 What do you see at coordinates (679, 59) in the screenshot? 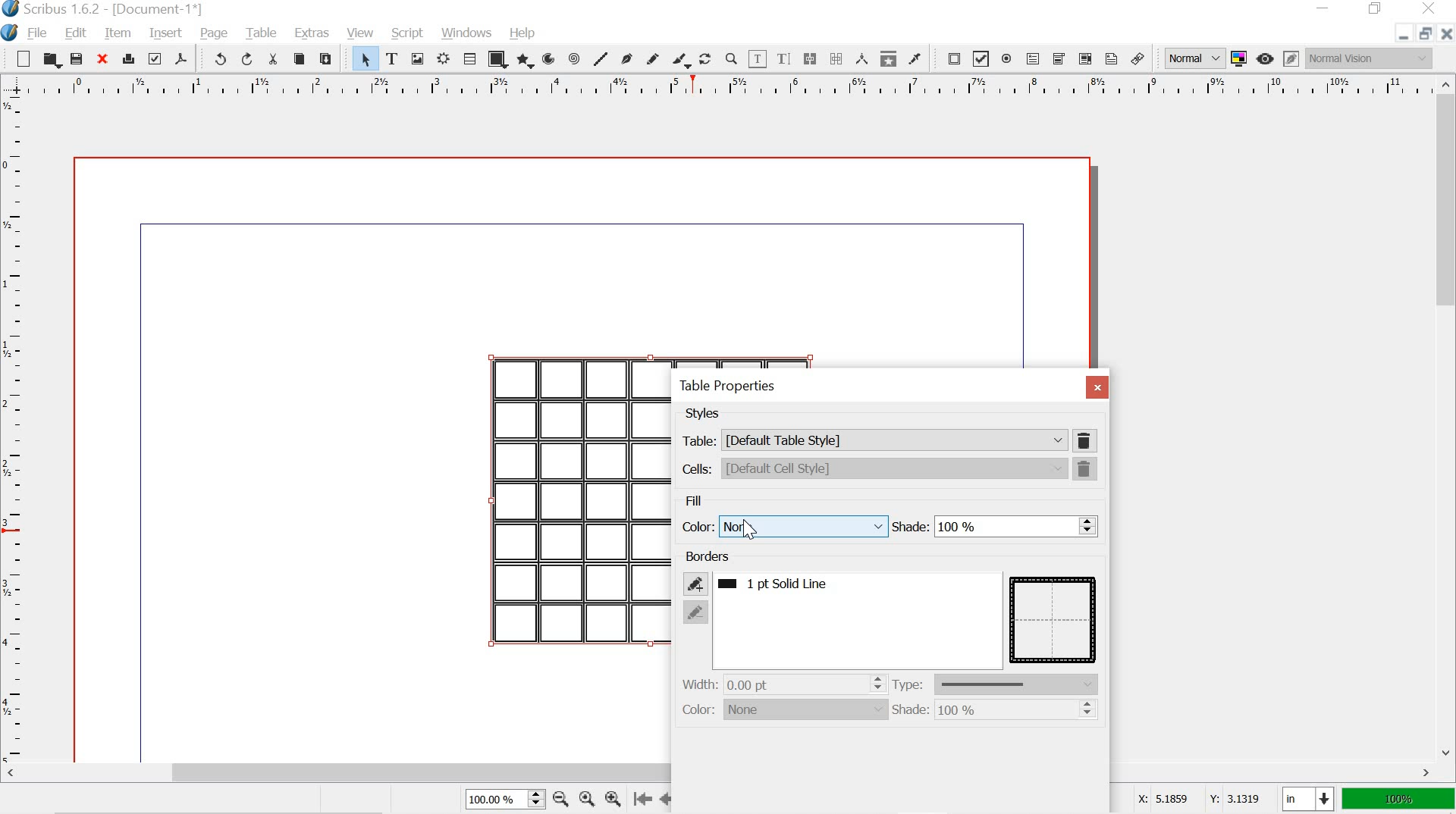
I see `calligraphic line` at bounding box center [679, 59].